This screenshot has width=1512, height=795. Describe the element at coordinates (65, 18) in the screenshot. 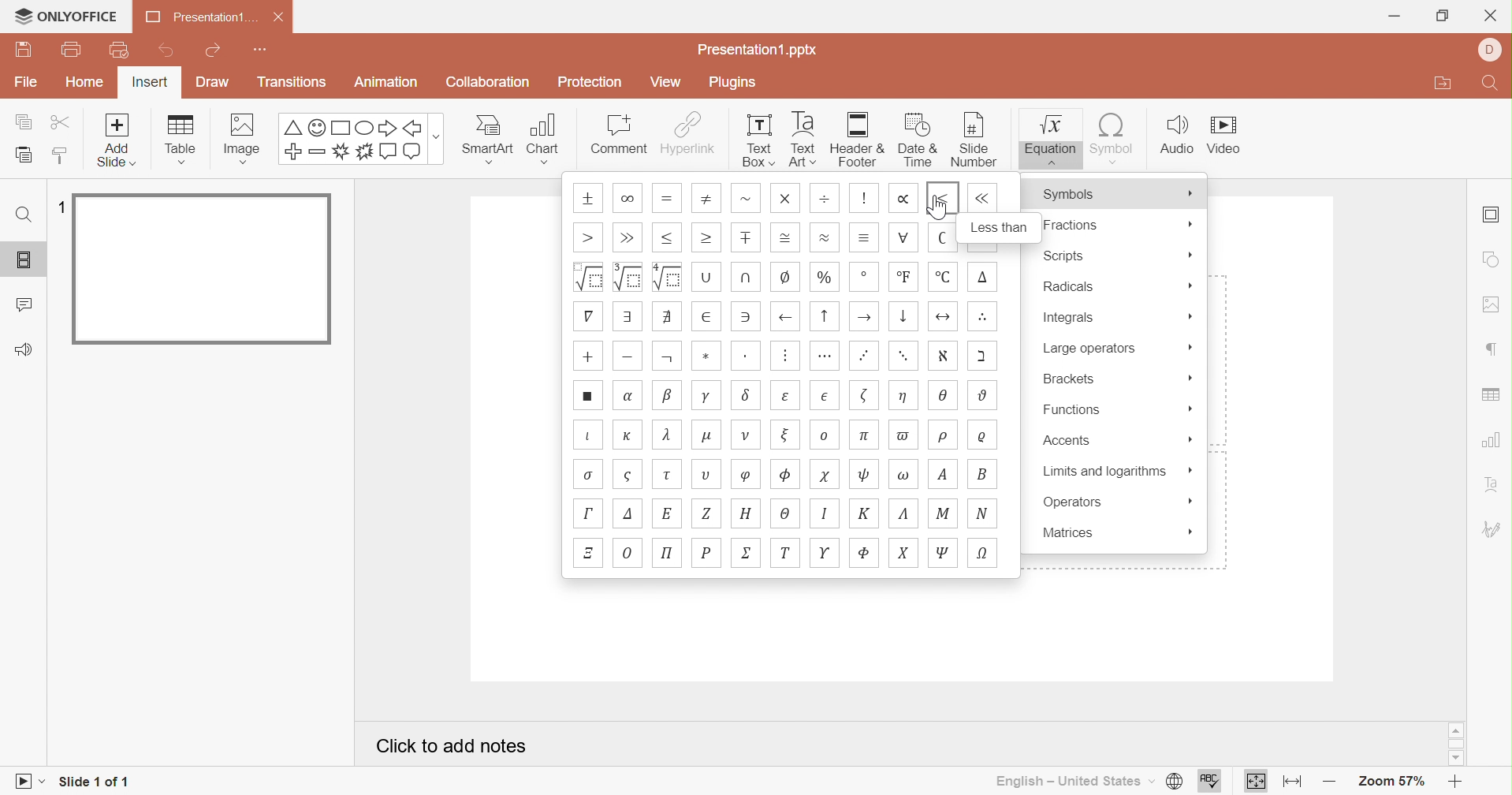

I see `ONLYOFFICE` at that location.